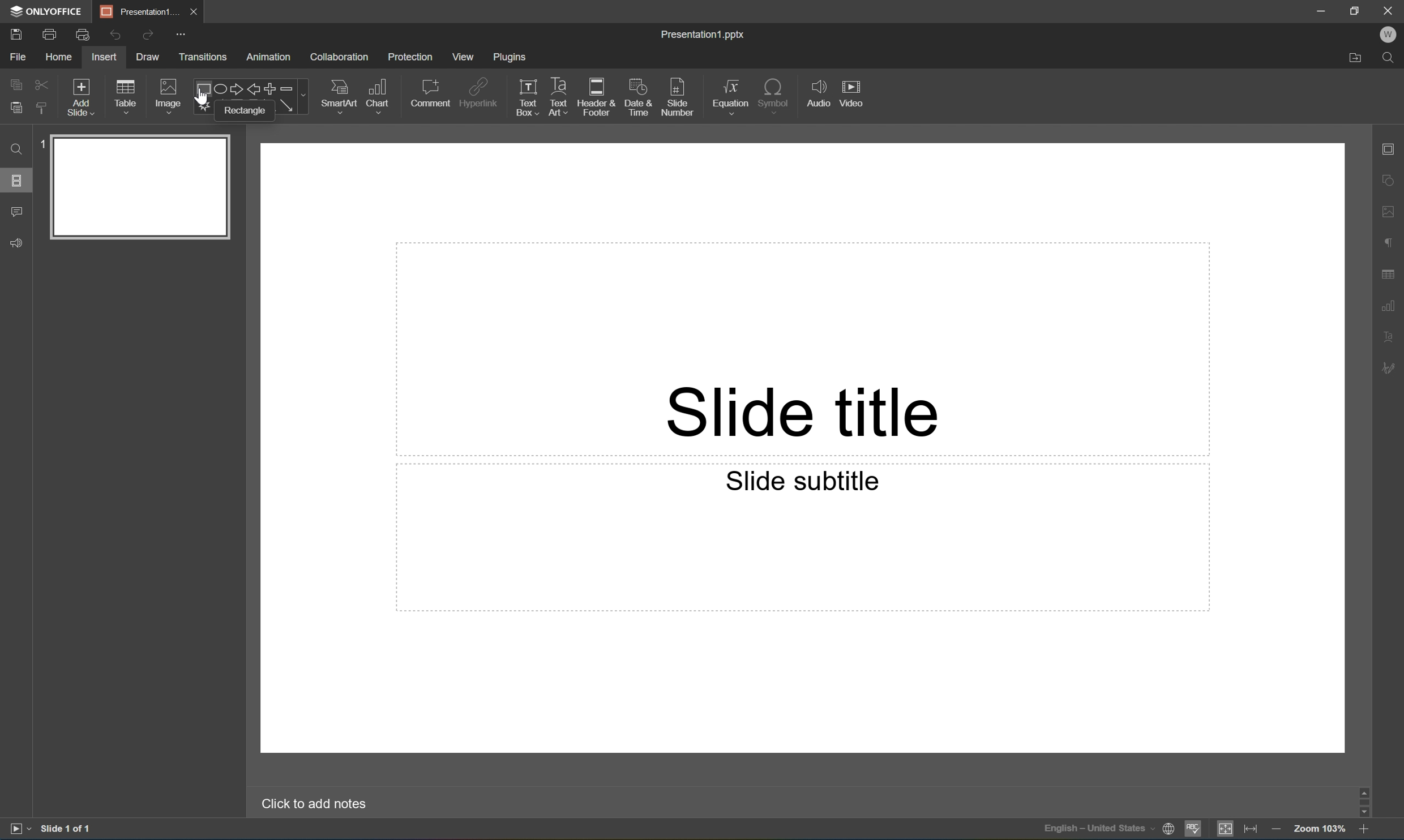 The height and width of the screenshot is (840, 1404). What do you see at coordinates (1393, 179) in the screenshot?
I see `Shape settings` at bounding box center [1393, 179].